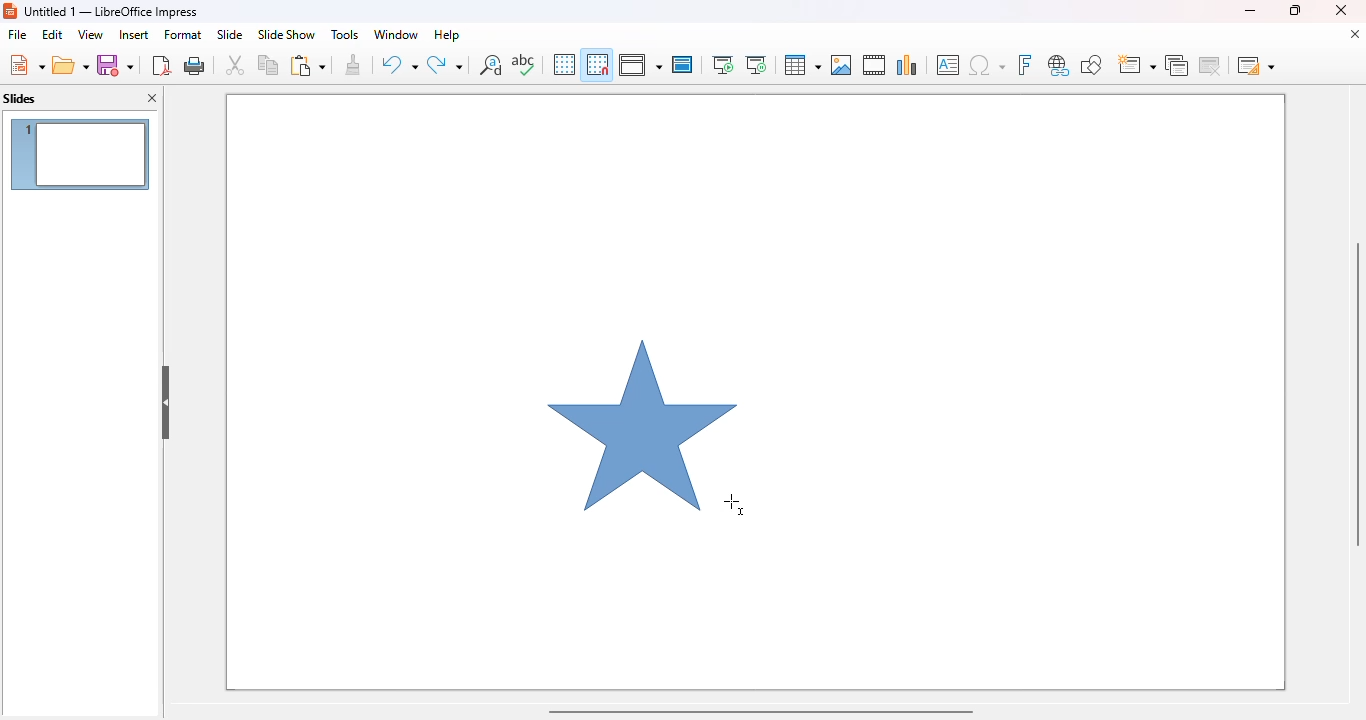 The height and width of the screenshot is (720, 1366). What do you see at coordinates (229, 34) in the screenshot?
I see `slide` at bounding box center [229, 34].